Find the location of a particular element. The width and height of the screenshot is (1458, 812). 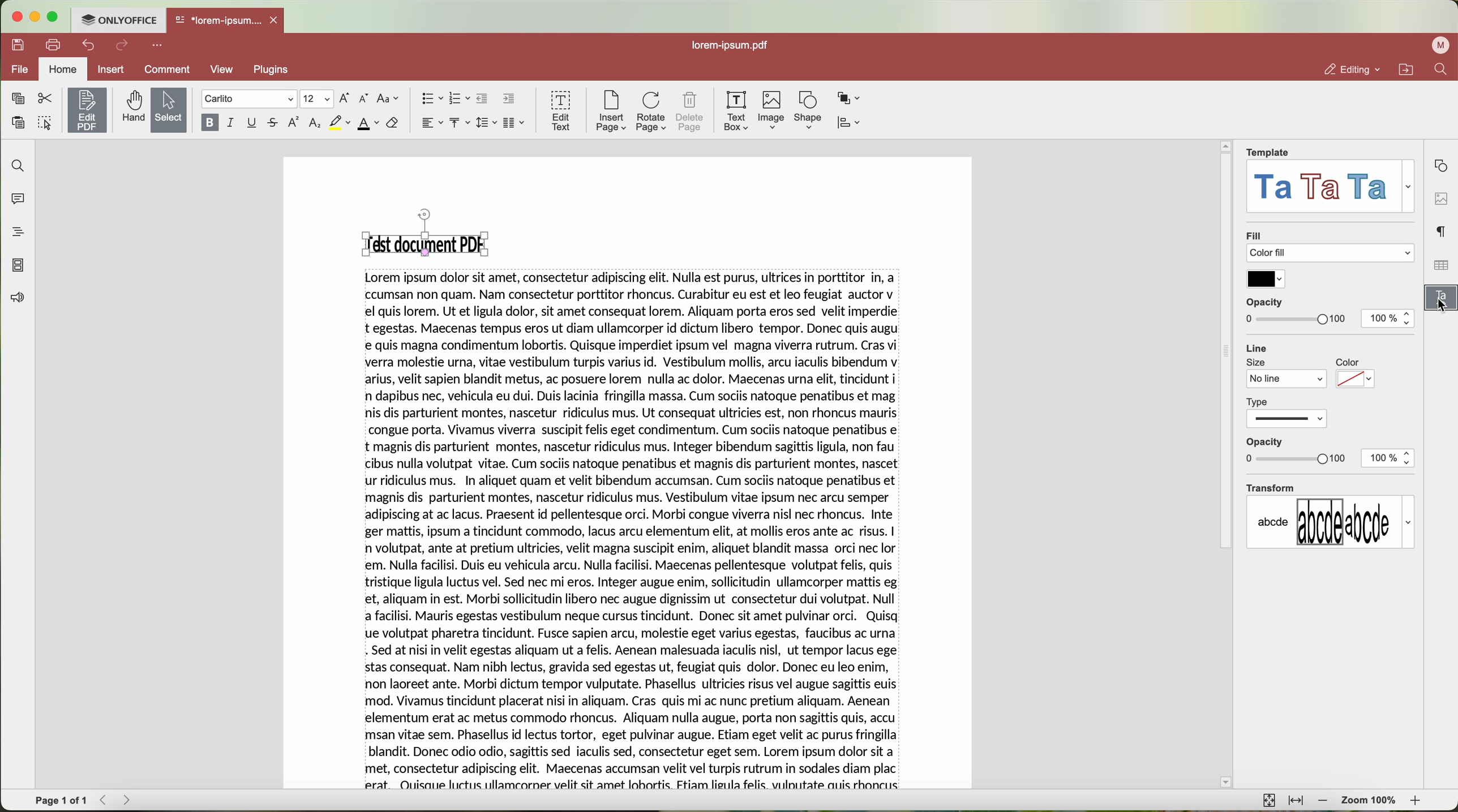

maximize is located at coordinates (58, 16).